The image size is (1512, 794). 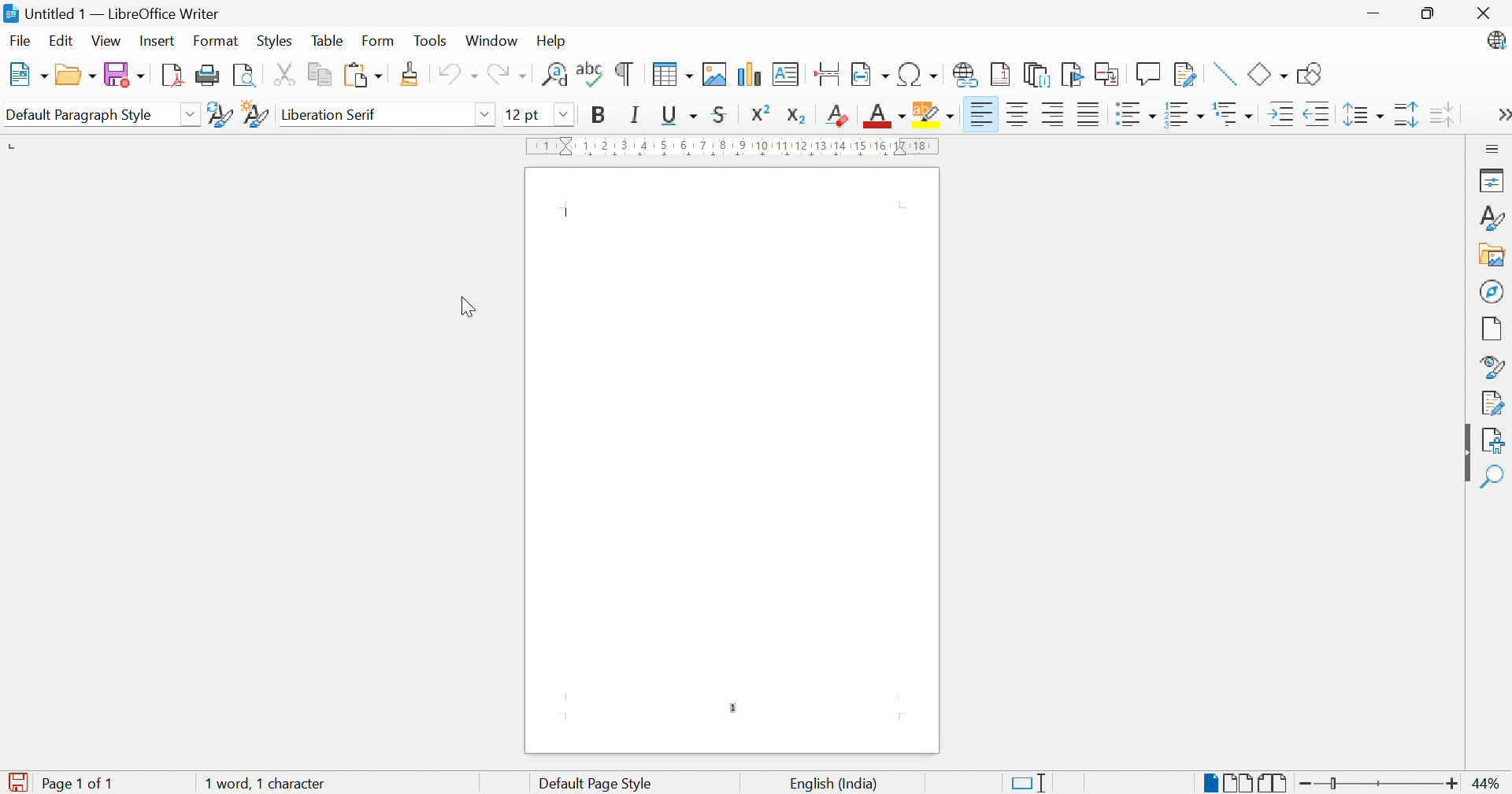 I want to click on Edit, so click(x=61, y=43).